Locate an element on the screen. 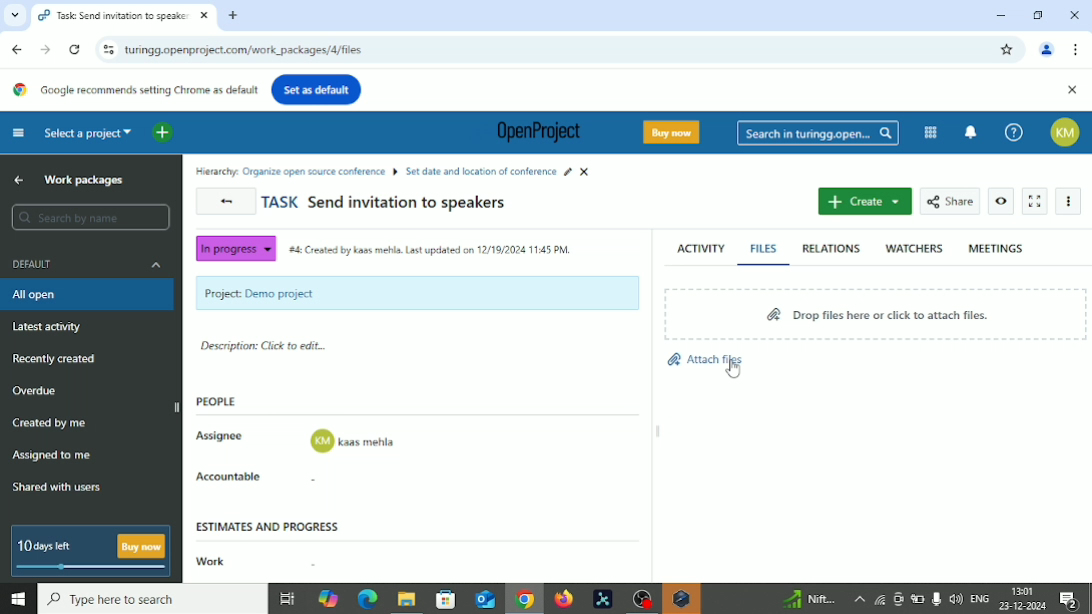 The width and height of the screenshot is (1092, 614). Warning is located at coordinates (681, 599).